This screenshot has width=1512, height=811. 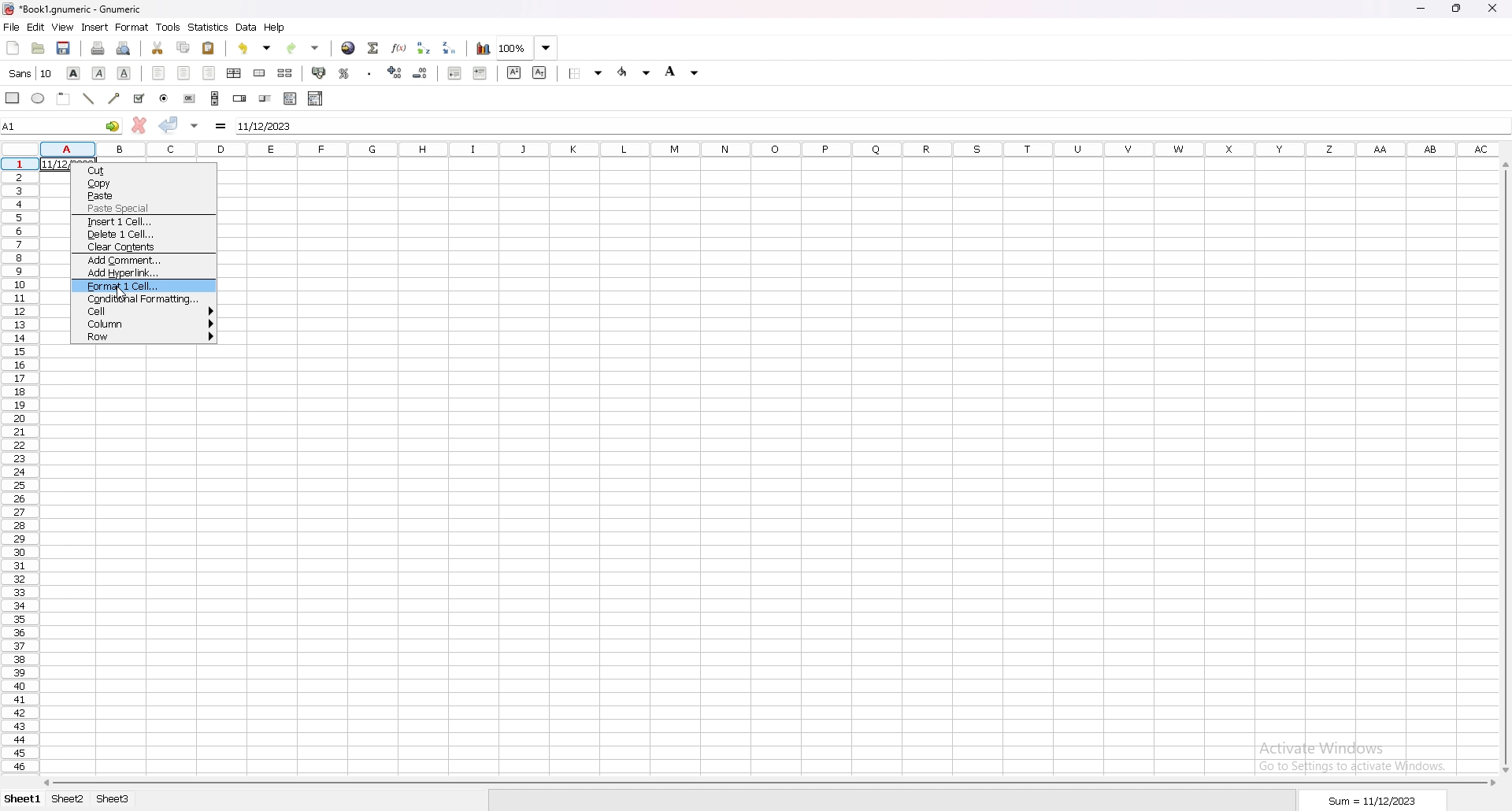 What do you see at coordinates (681, 72) in the screenshot?
I see `background` at bounding box center [681, 72].